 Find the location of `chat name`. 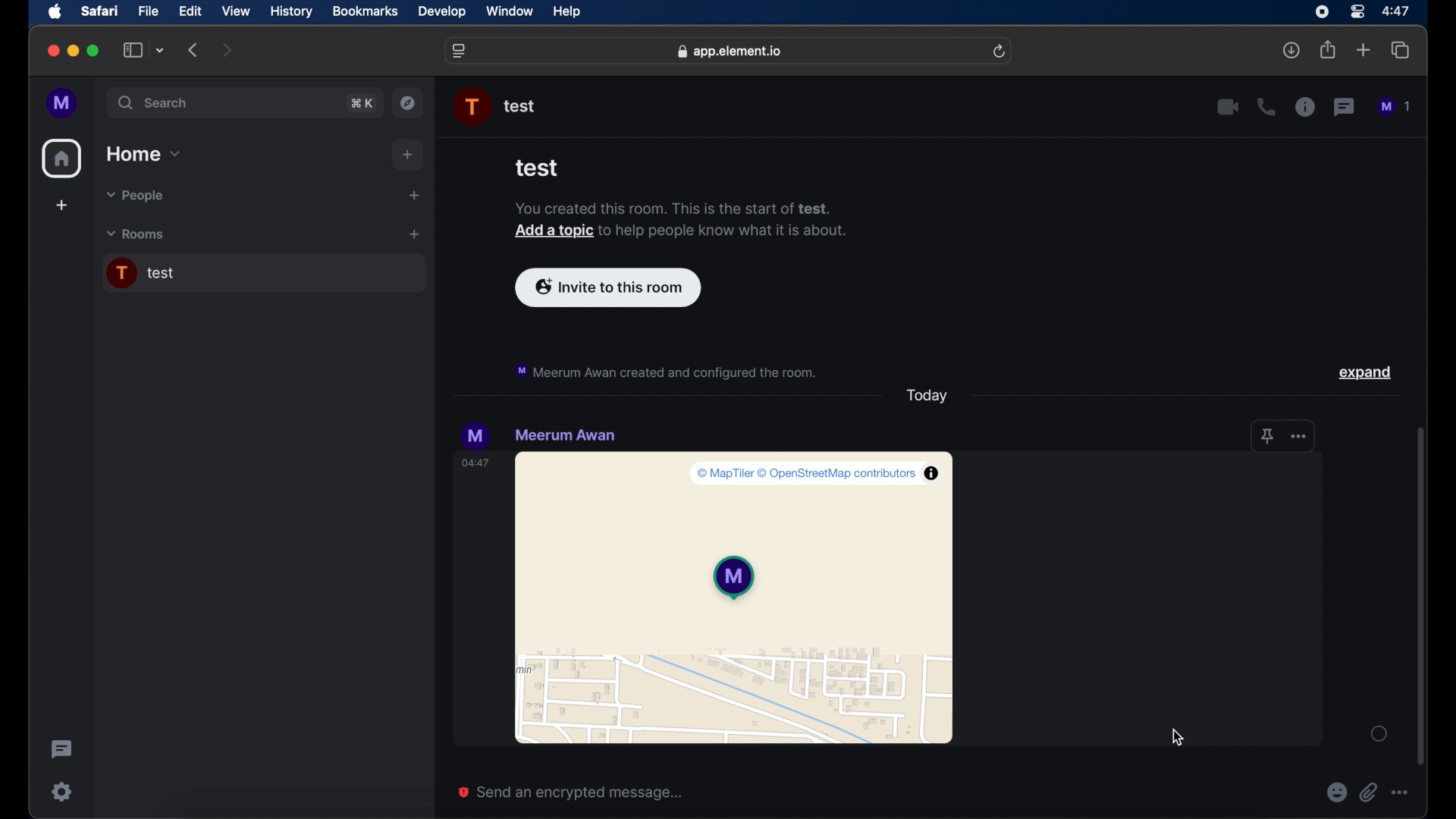

chat name is located at coordinates (520, 107).